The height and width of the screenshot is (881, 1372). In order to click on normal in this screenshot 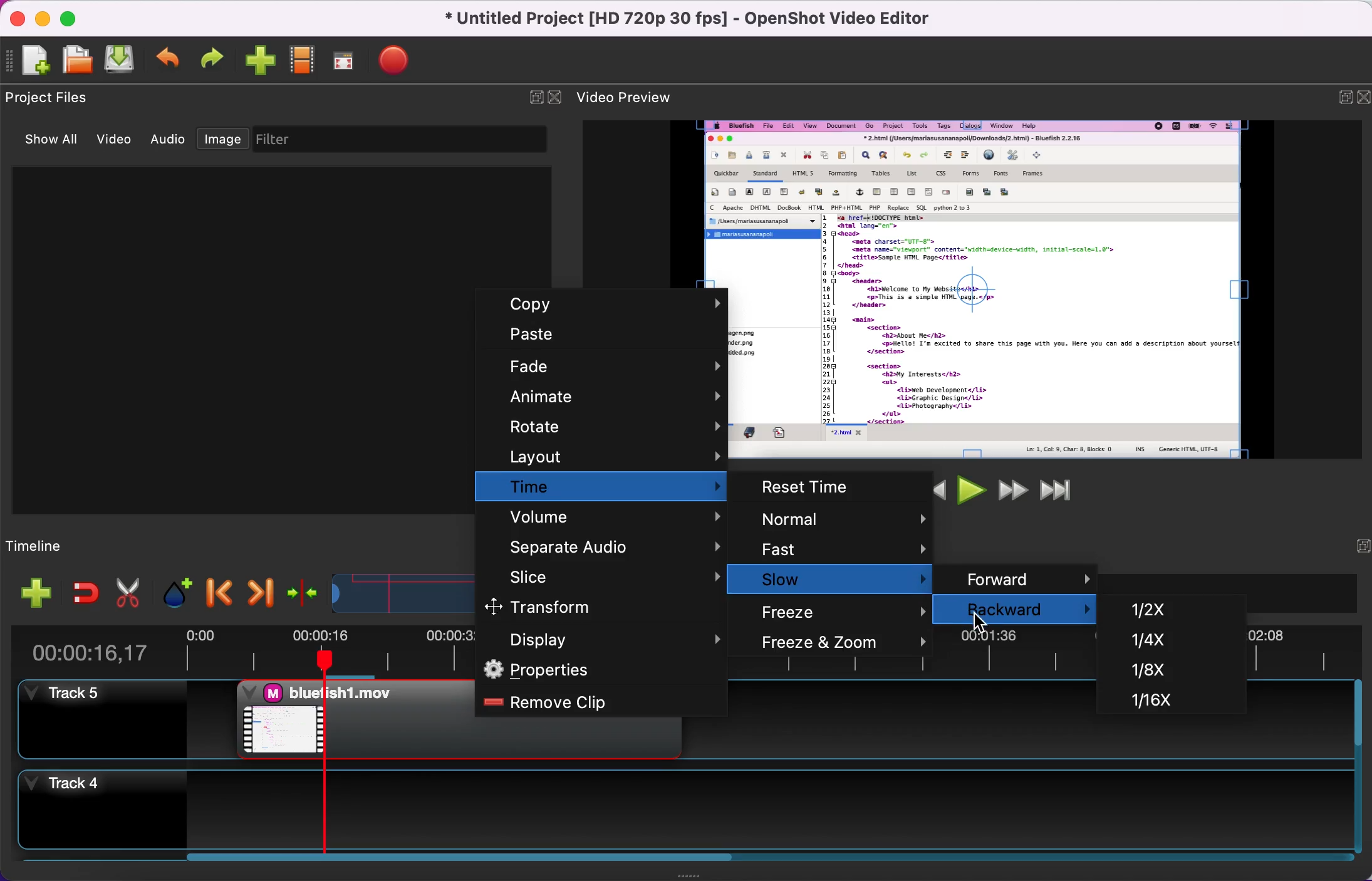, I will do `click(839, 520)`.